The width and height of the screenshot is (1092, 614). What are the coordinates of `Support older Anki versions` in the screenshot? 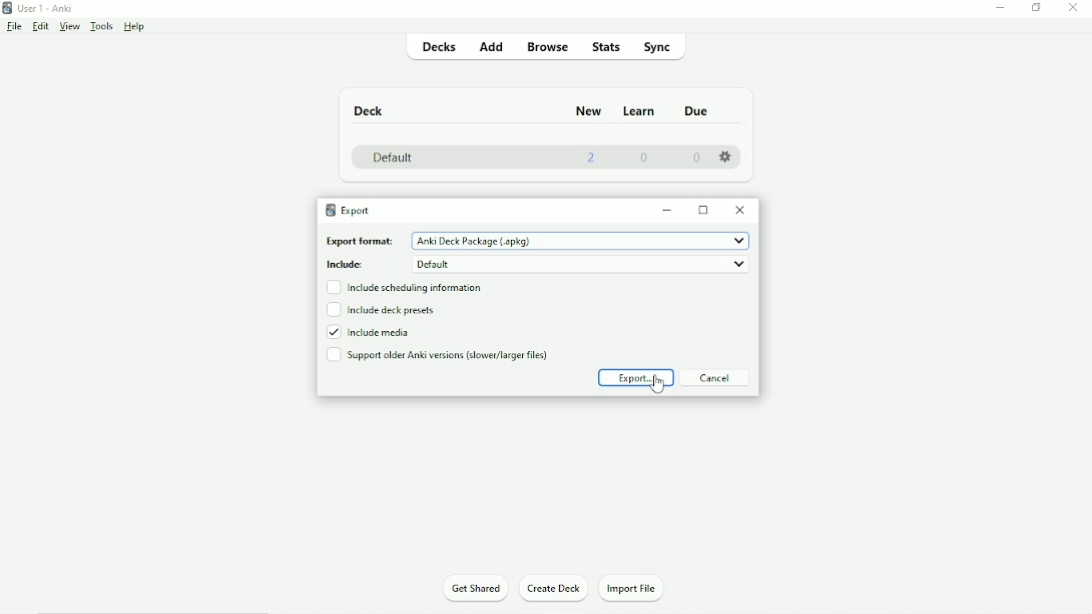 It's located at (440, 355).